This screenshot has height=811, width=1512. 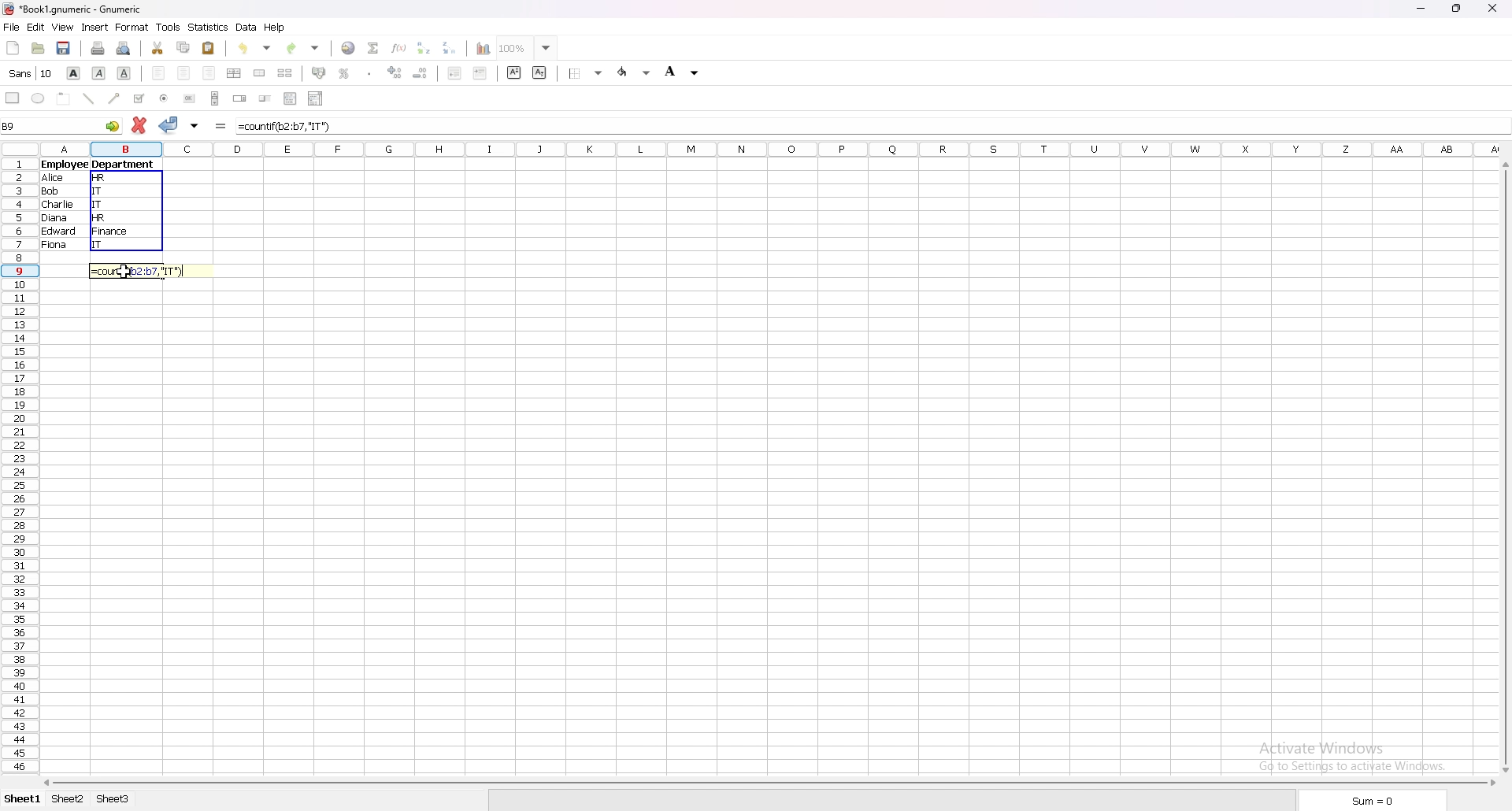 I want to click on button, so click(x=189, y=98).